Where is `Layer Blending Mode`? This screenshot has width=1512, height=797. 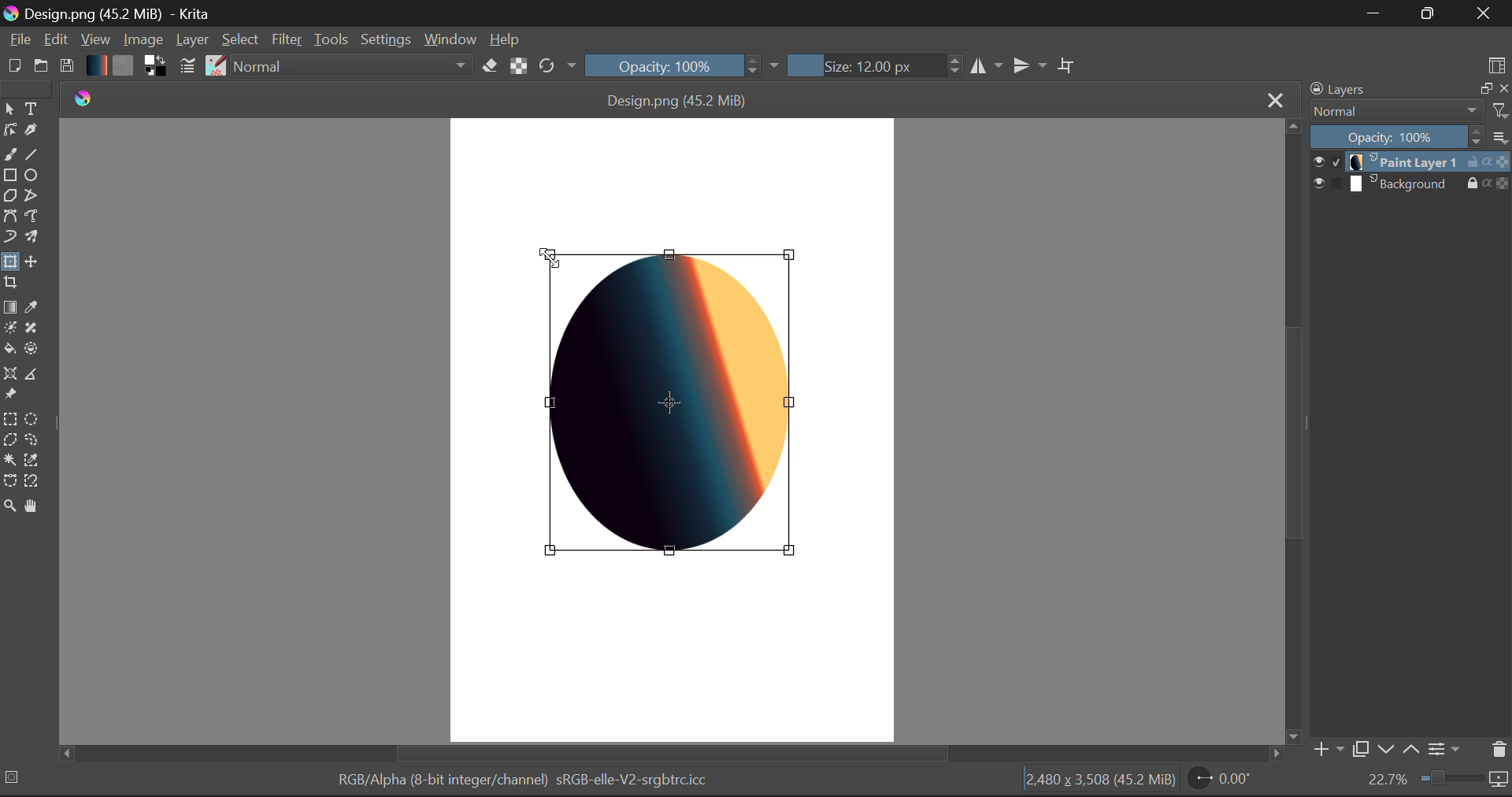 Layer Blending Mode is located at coordinates (1409, 112).